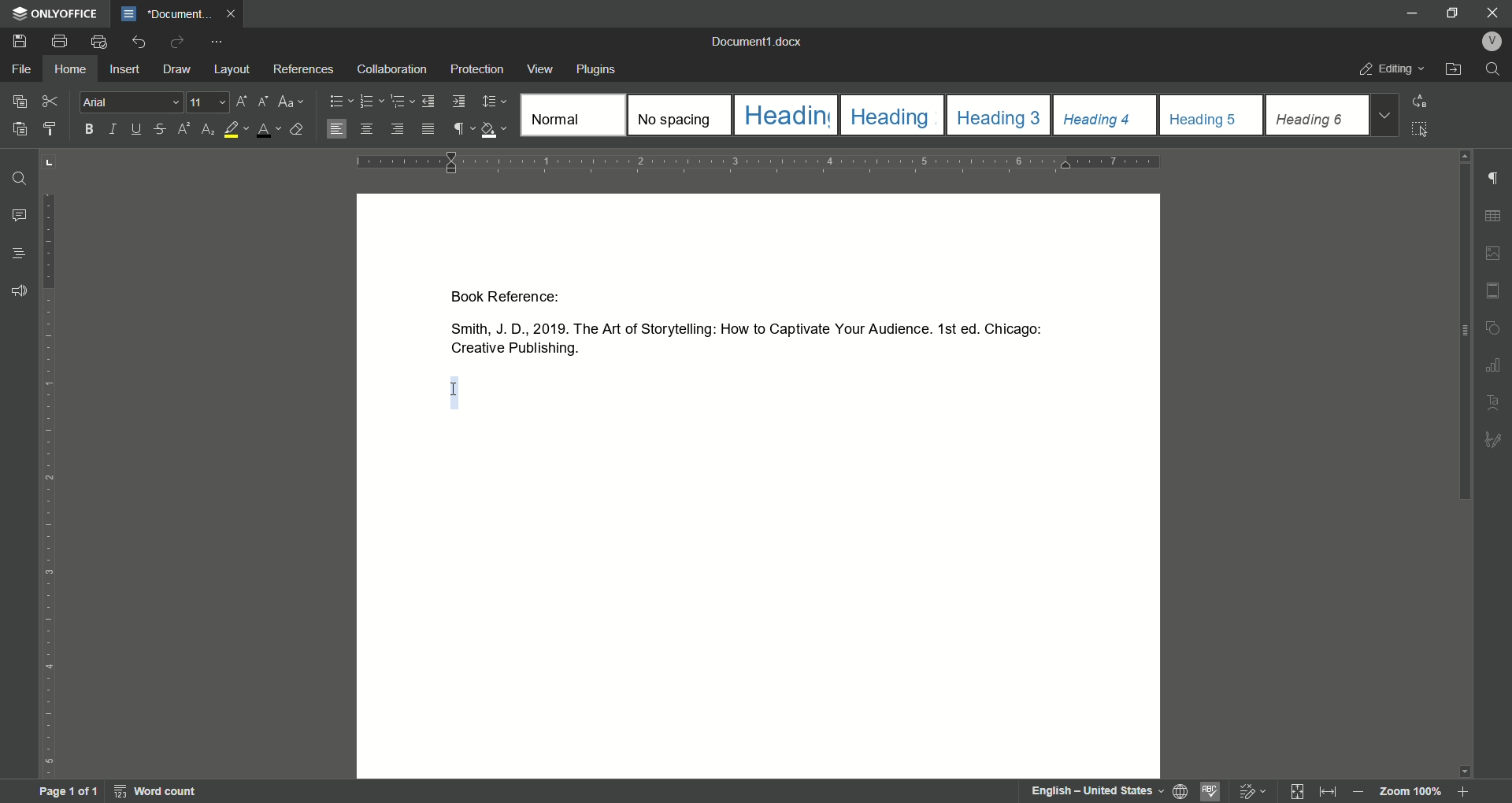 Image resolution: width=1512 pixels, height=803 pixels. I want to click on layout, so click(233, 69).